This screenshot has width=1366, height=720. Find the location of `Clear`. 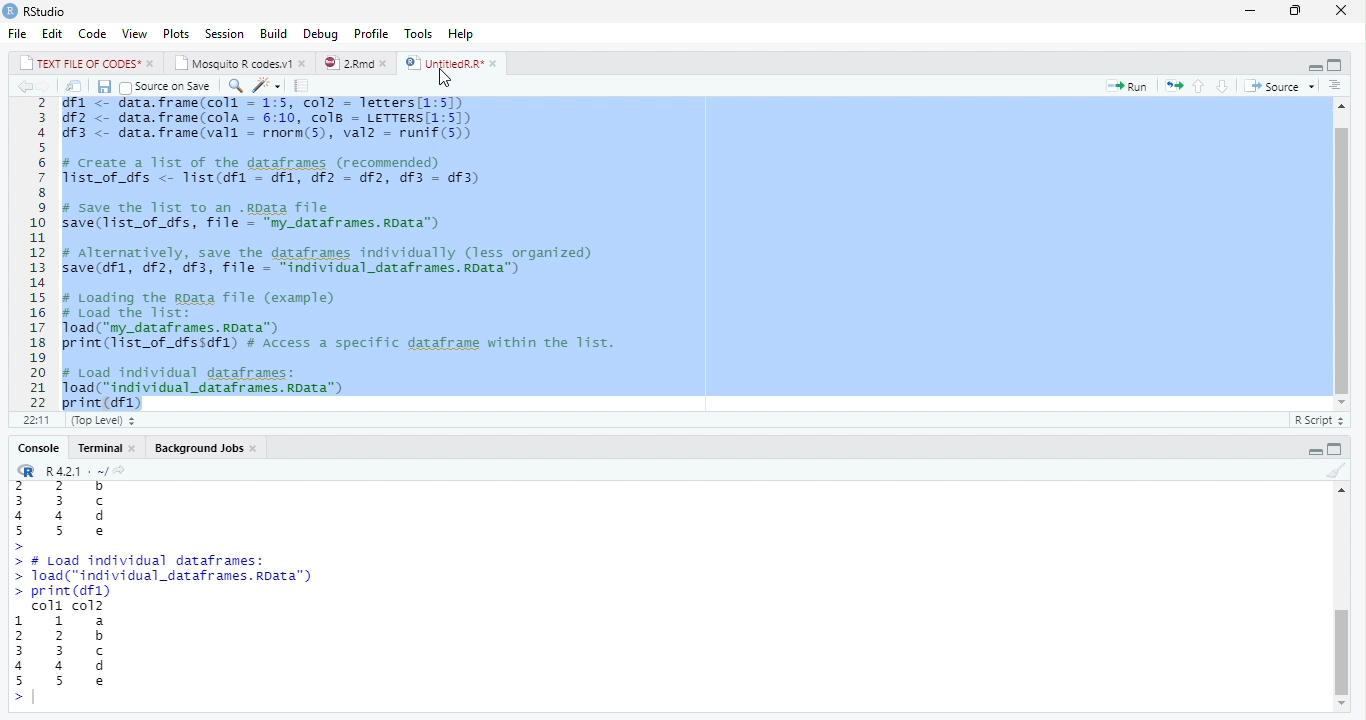

Clear is located at coordinates (1338, 472).